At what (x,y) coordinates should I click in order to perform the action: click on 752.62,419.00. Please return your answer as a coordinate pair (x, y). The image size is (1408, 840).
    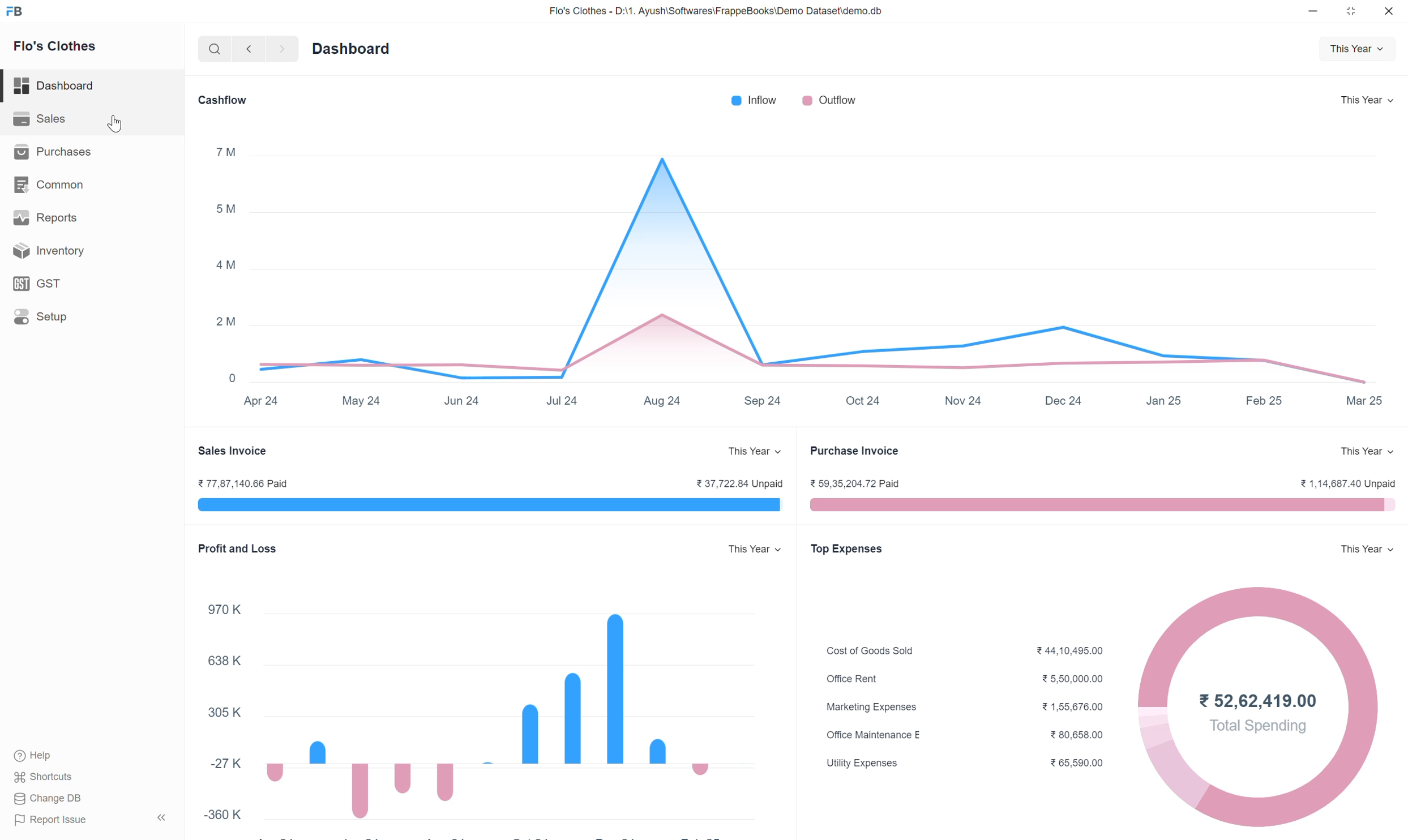
    Looking at the image, I should click on (1260, 698).